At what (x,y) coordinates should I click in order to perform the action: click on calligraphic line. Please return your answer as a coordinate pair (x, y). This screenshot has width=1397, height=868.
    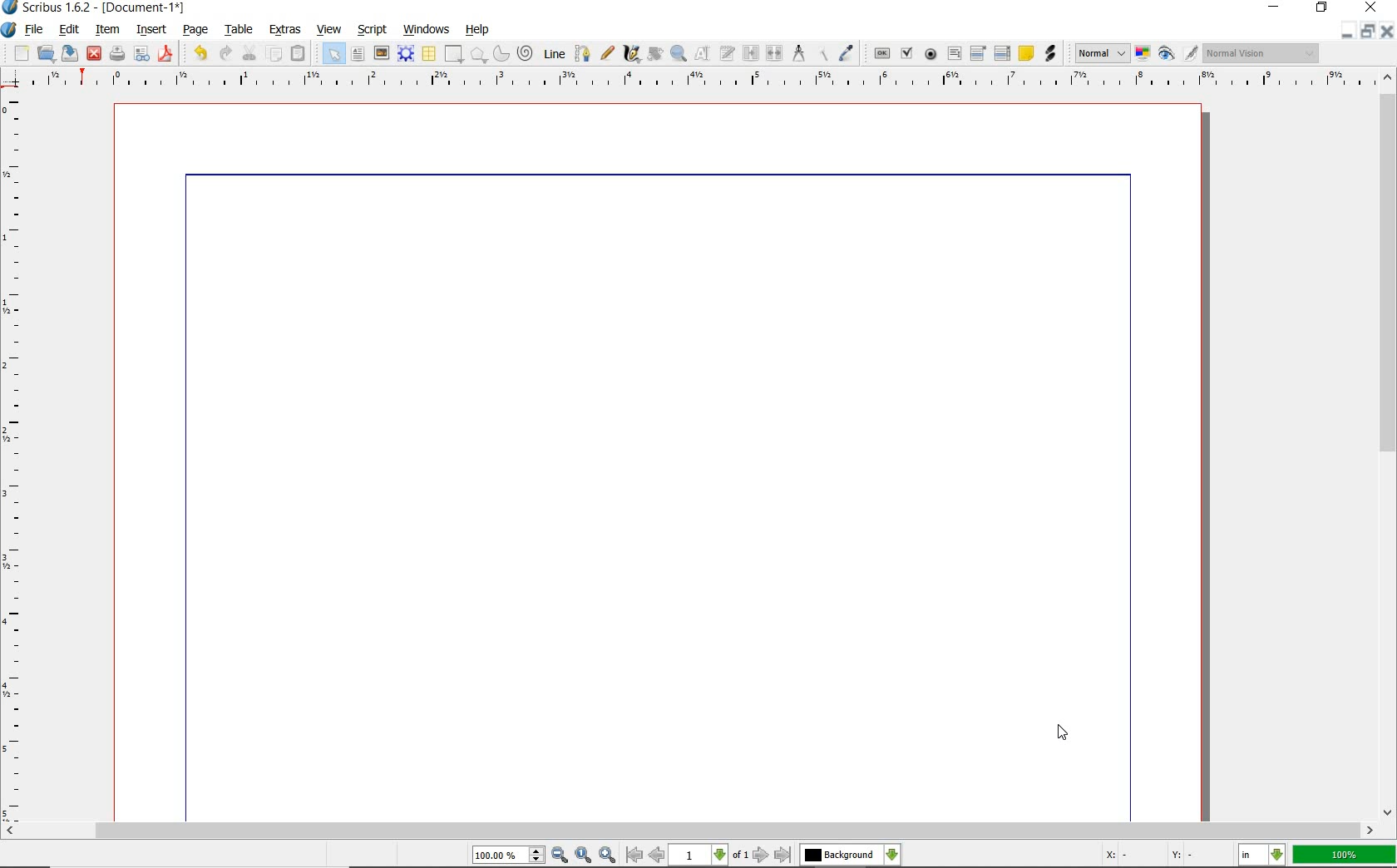
    Looking at the image, I should click on (632, 55).